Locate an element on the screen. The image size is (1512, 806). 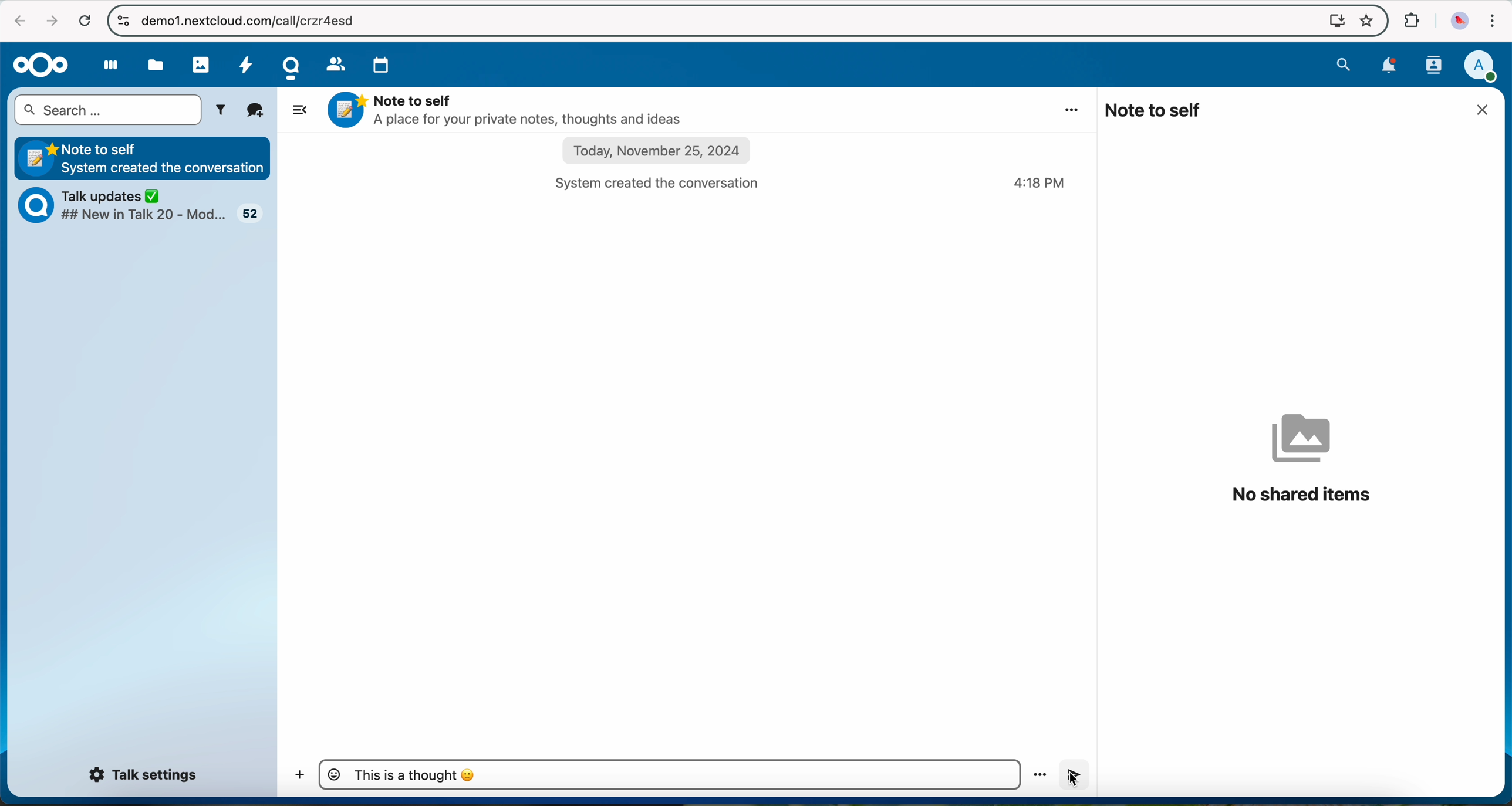
close window is located at coordinates (1486, 110).